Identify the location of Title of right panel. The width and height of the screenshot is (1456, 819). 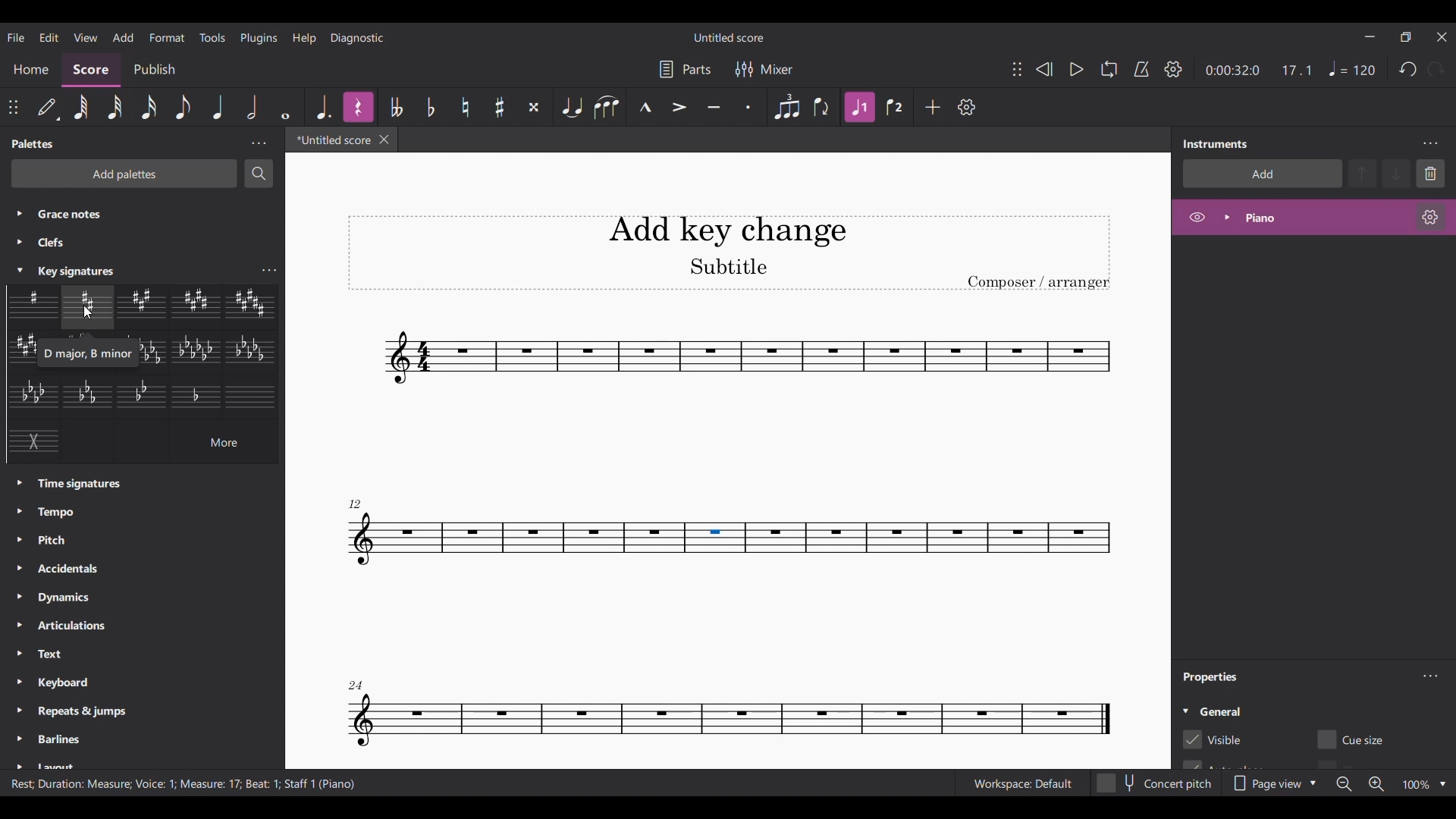
(1216, 143).